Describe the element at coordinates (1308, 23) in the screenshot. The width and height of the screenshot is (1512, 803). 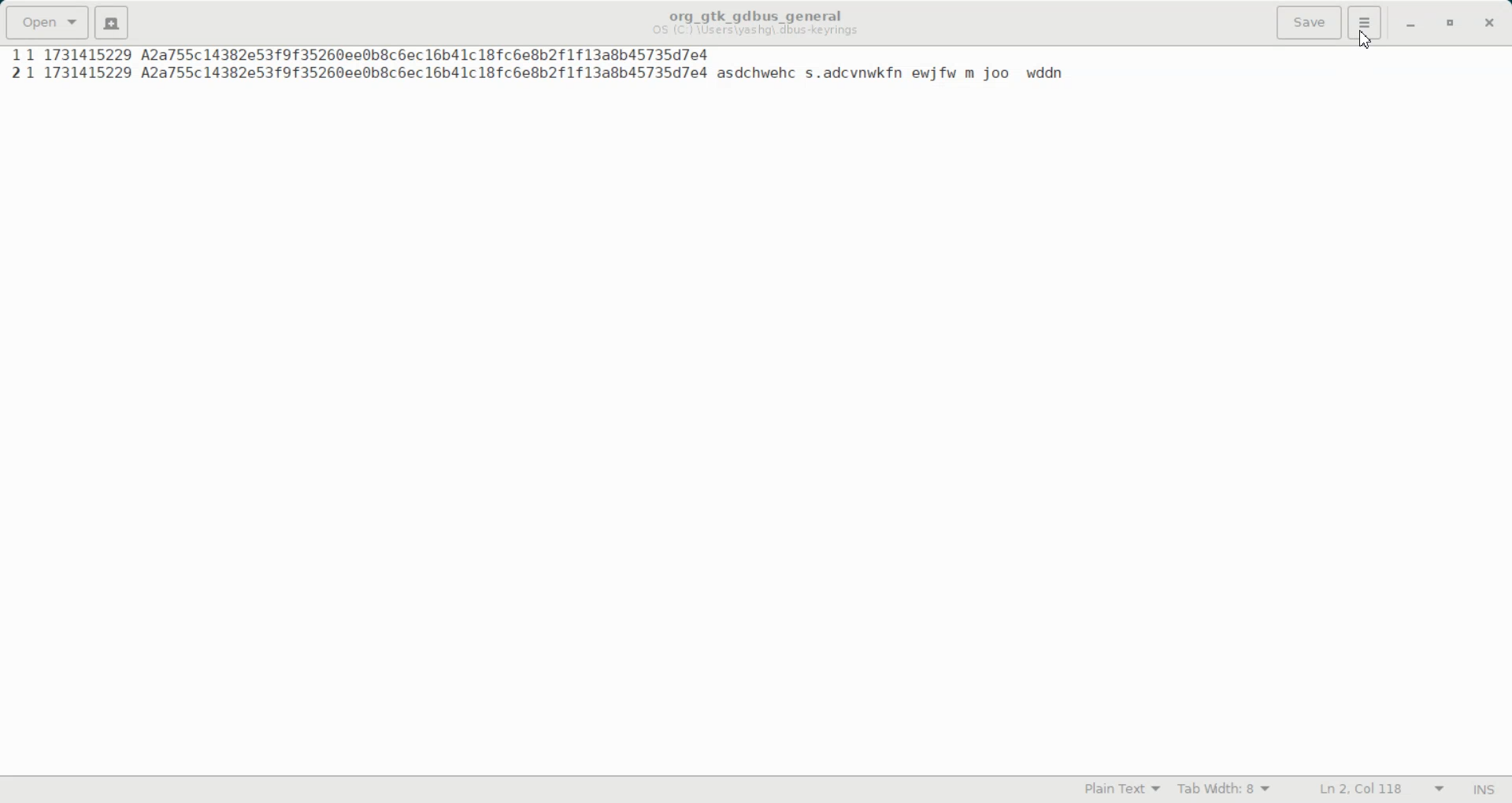
I see `Save` at that location.